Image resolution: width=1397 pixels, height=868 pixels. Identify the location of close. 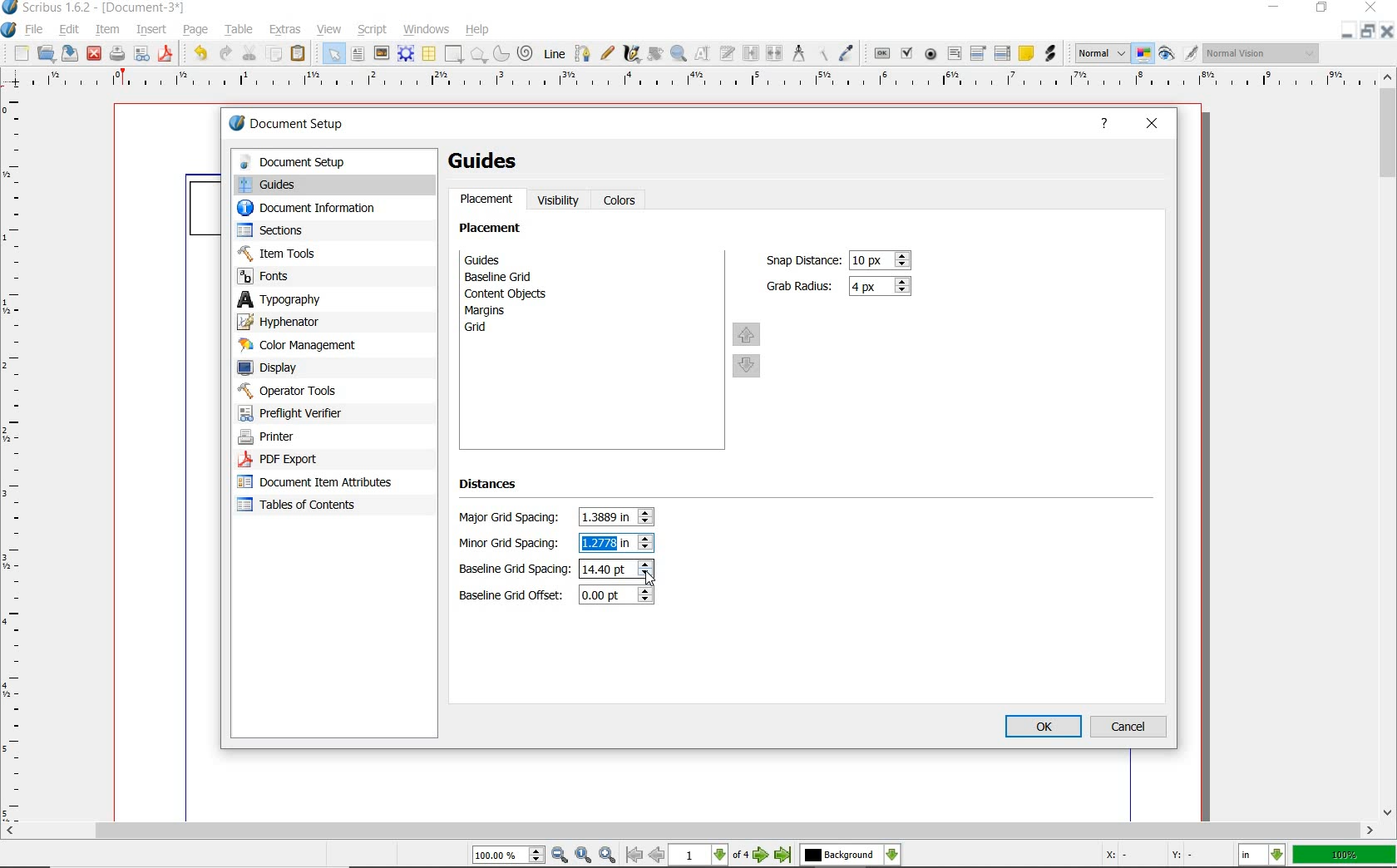
(93, 55).